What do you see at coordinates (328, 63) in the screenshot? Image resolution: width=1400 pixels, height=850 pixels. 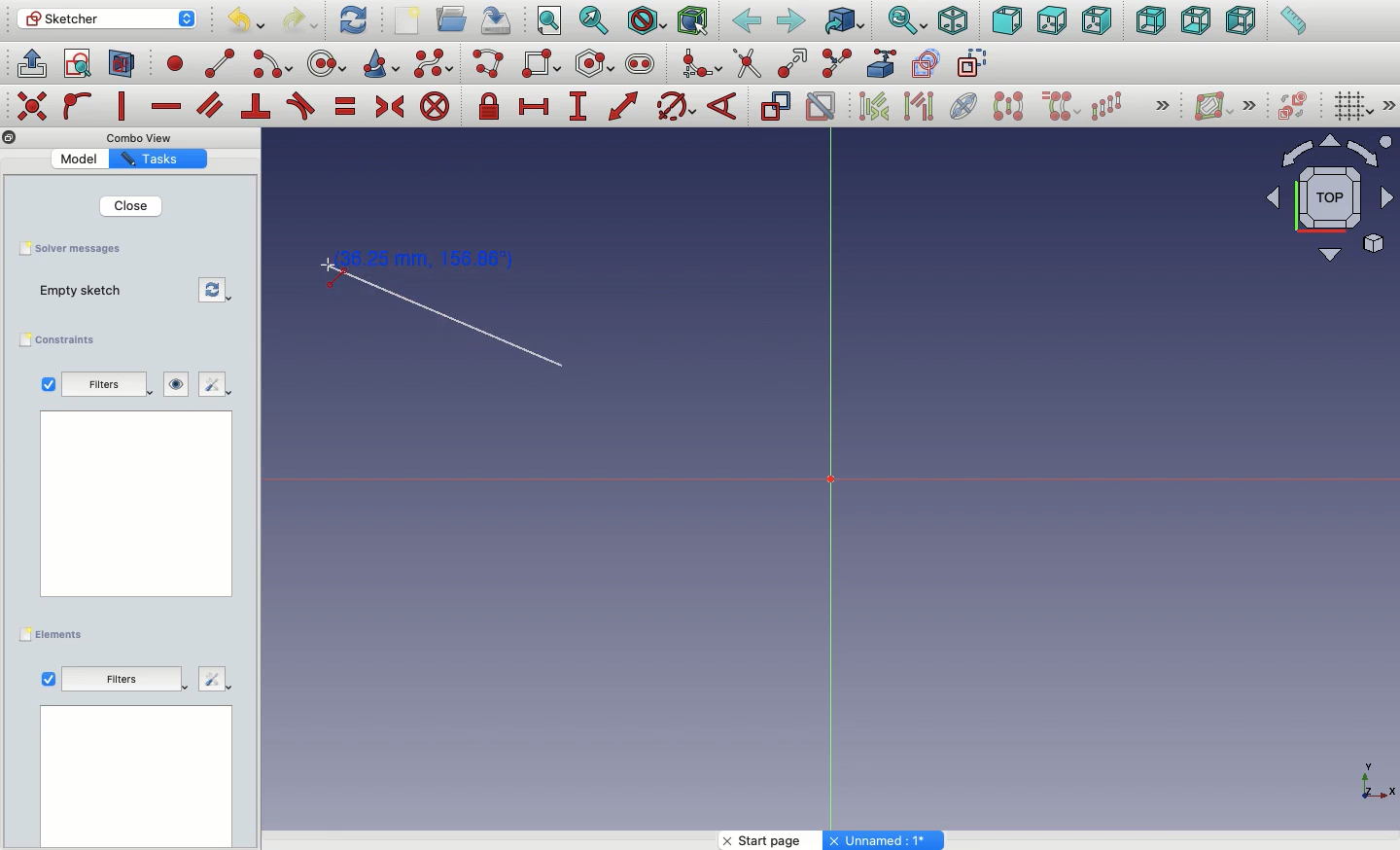 I see `circle` at bounding box center [328, 63].